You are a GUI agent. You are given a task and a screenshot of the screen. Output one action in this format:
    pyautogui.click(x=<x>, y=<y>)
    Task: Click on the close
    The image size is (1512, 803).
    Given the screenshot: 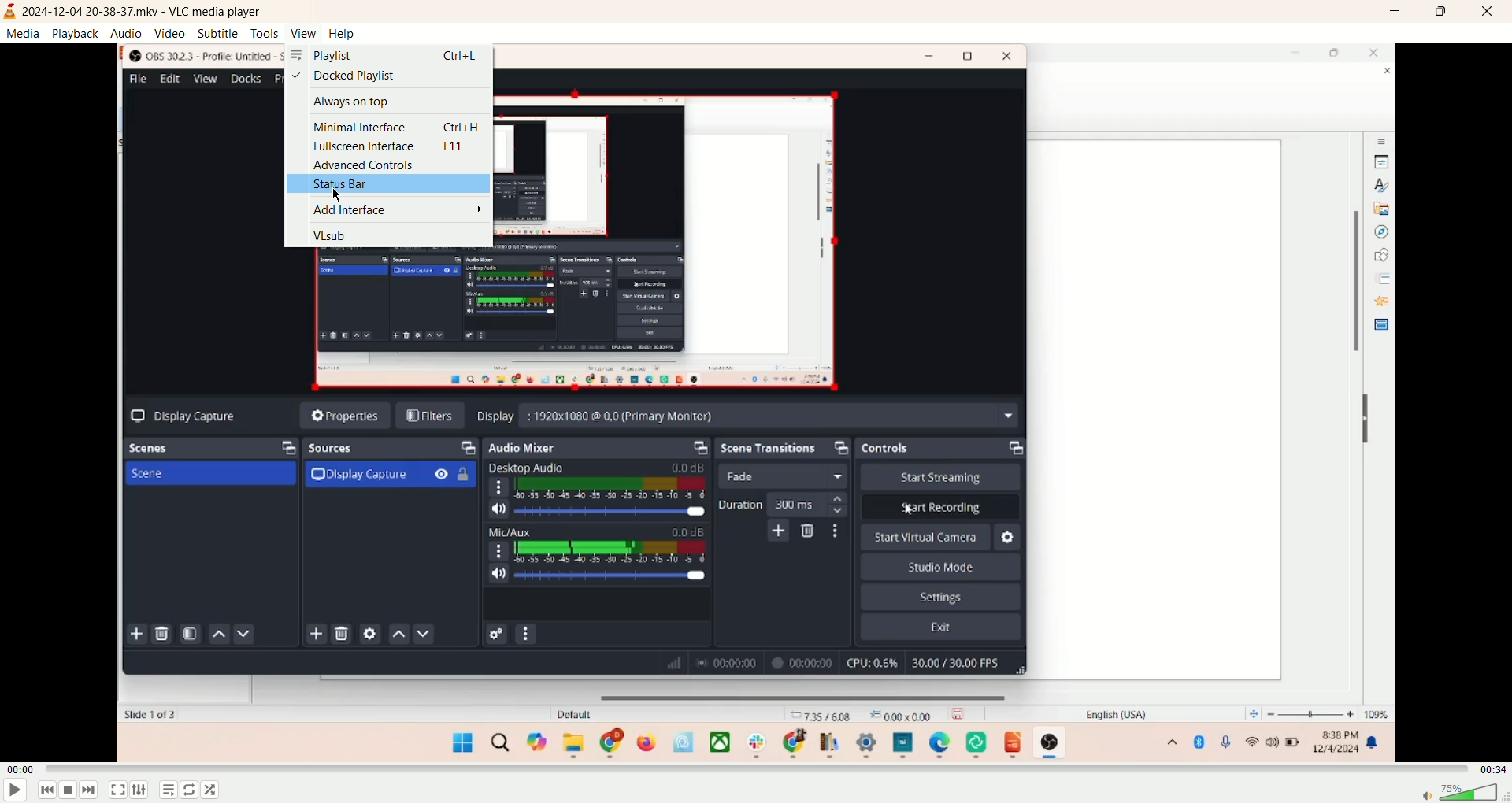 What is the action you would take?
    pyautogui.click(x=1490, y=11)
    